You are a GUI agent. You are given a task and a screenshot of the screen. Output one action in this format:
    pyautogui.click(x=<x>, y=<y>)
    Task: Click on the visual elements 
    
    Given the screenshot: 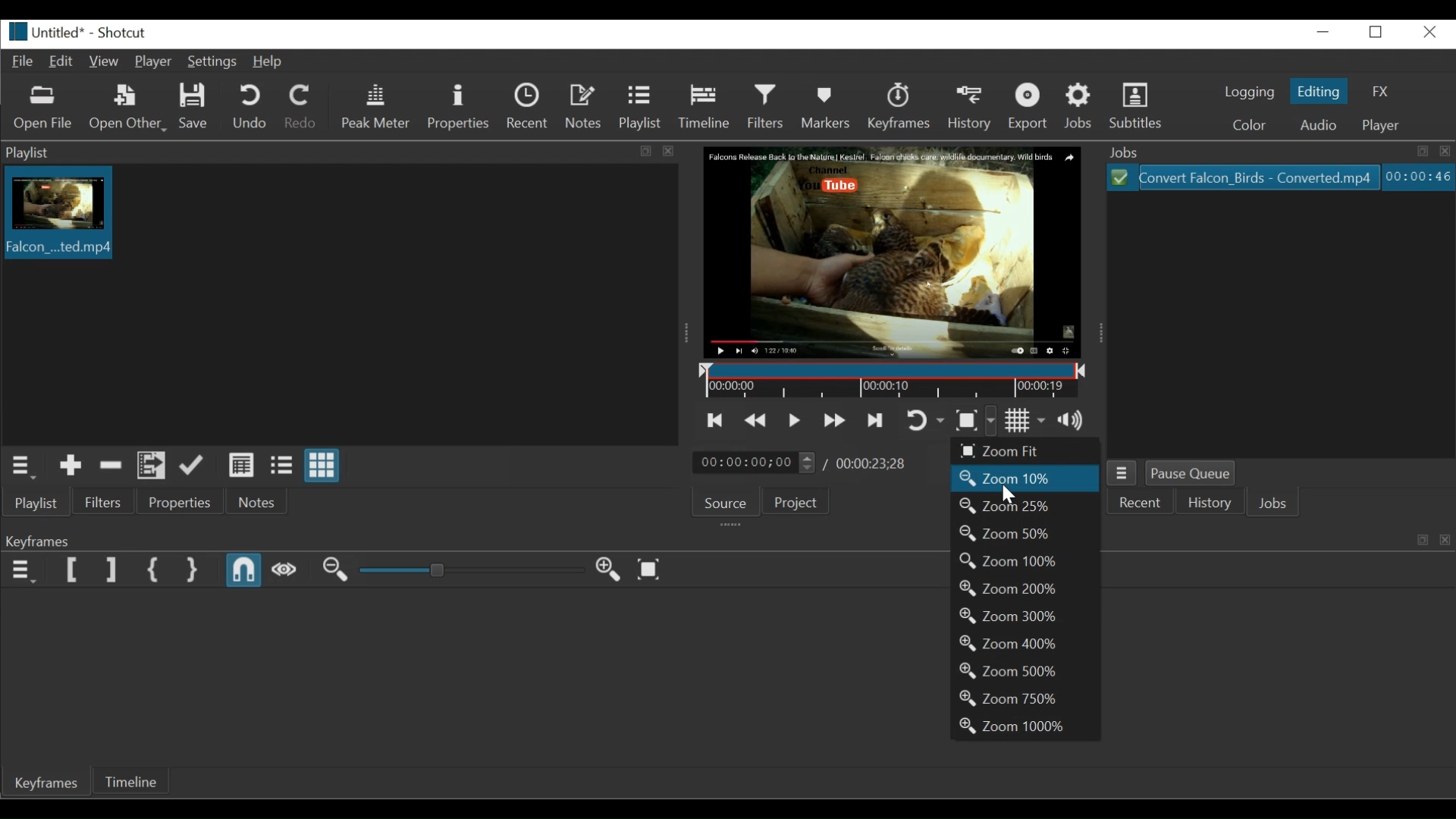 What is the action you would take?
    pyautogui.click(x=1427, y=540)
    